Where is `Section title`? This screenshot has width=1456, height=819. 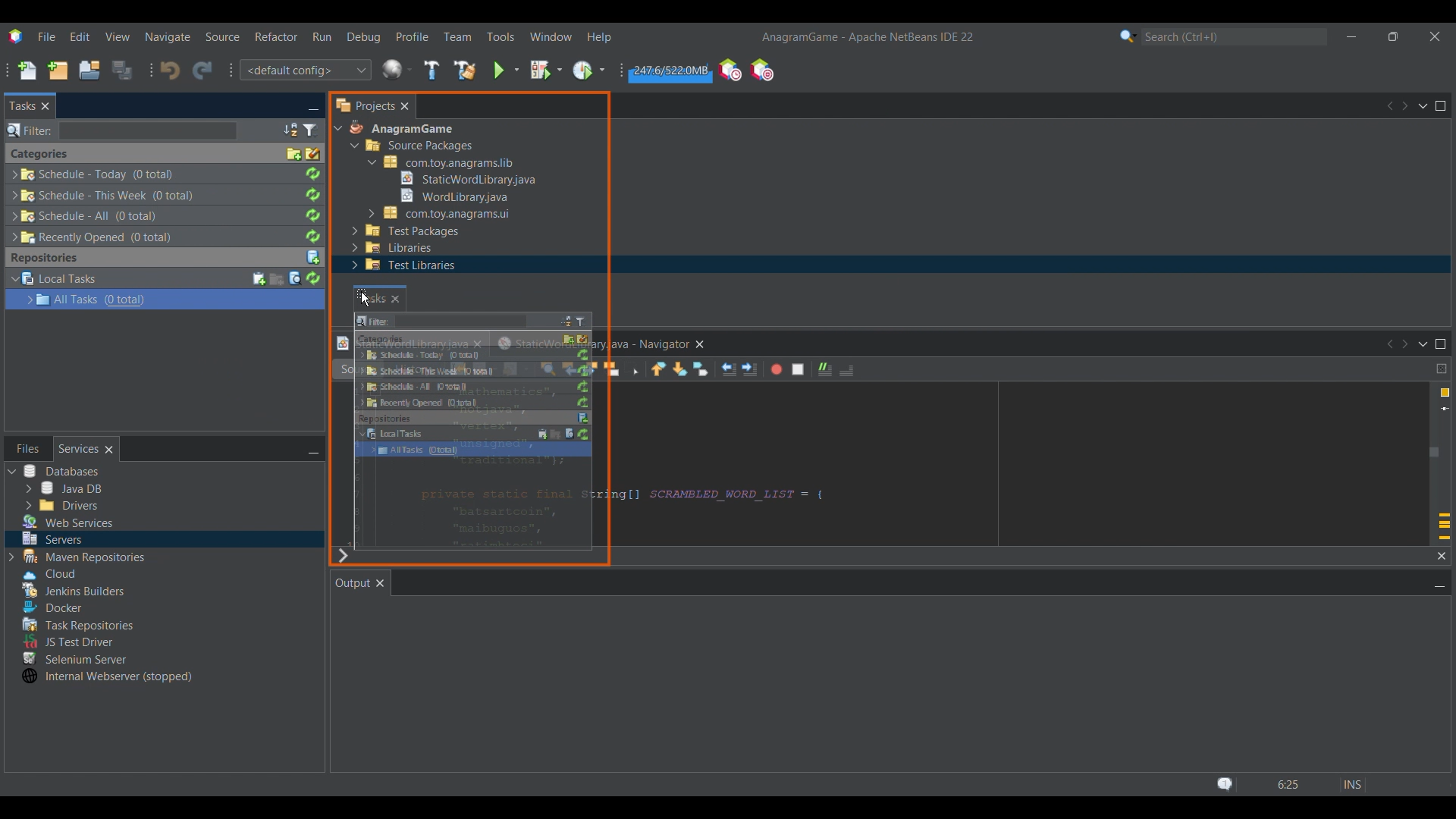 Section title is located at coordinates (39, 154).